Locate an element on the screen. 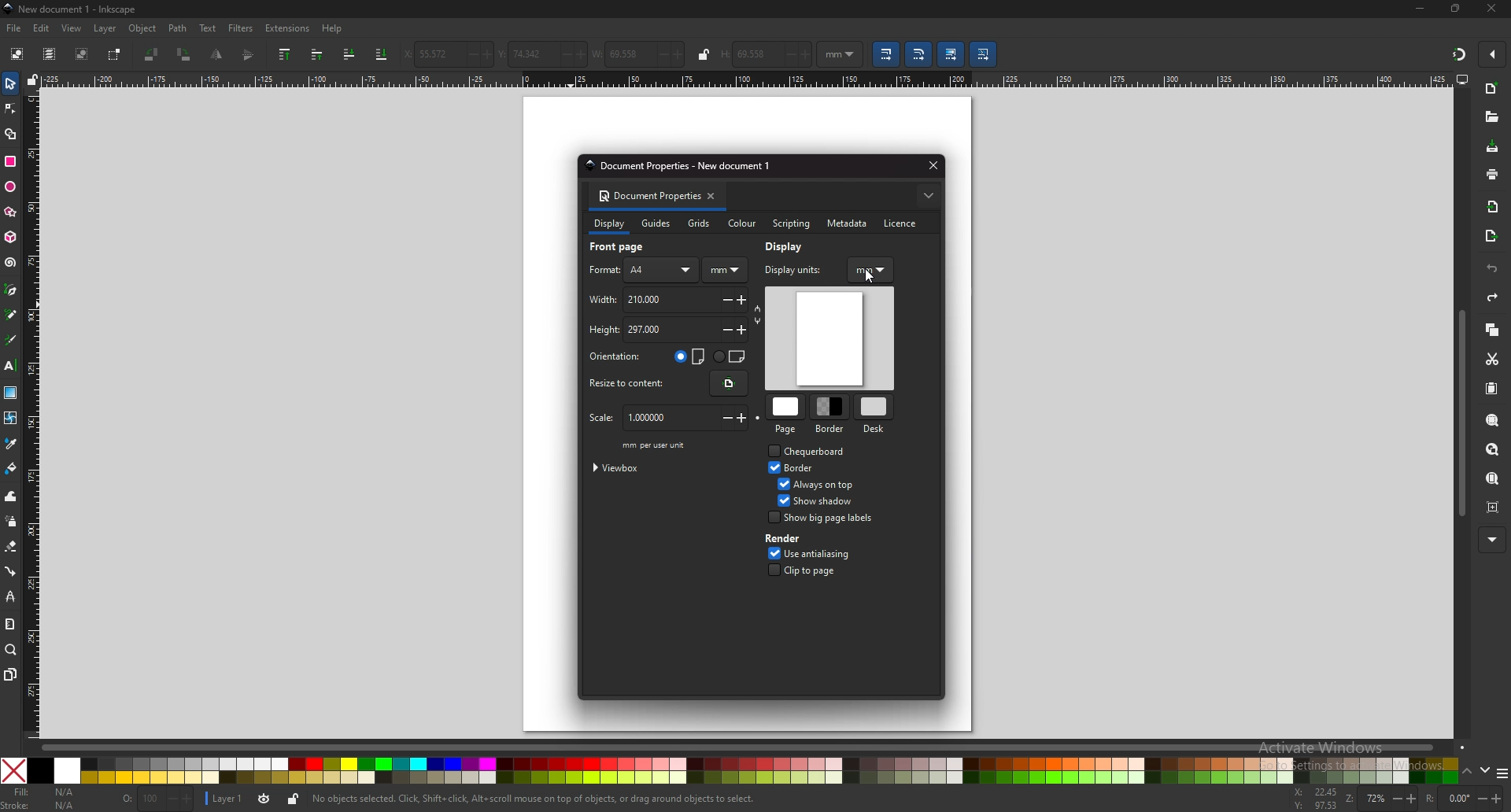 The height and width of the screenshot is (812, 1511). + is located at coordinates (486, 55).